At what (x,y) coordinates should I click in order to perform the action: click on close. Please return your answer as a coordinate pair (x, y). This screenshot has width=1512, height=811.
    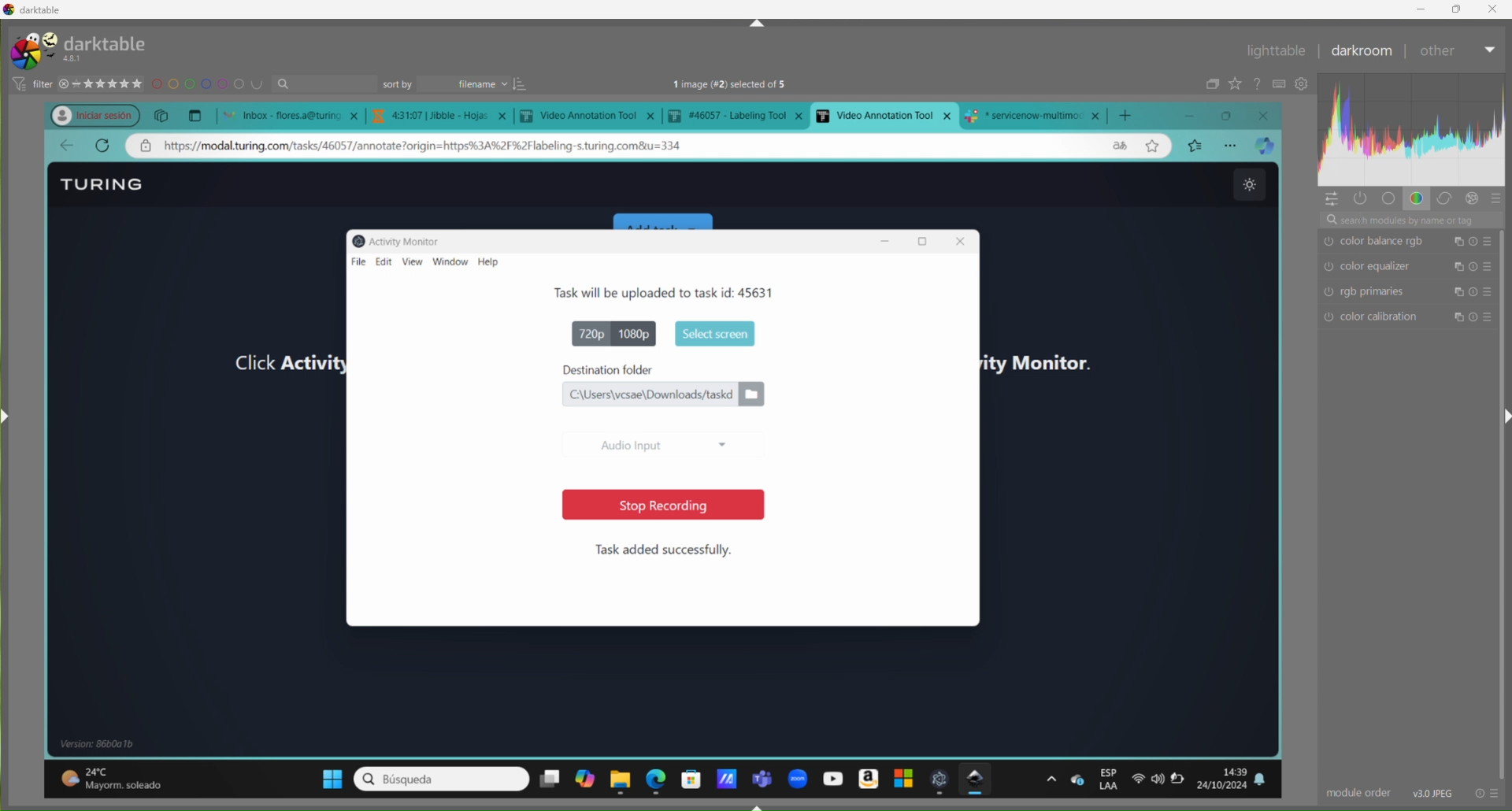
    Looking at the image, I should click on (1268, 114).